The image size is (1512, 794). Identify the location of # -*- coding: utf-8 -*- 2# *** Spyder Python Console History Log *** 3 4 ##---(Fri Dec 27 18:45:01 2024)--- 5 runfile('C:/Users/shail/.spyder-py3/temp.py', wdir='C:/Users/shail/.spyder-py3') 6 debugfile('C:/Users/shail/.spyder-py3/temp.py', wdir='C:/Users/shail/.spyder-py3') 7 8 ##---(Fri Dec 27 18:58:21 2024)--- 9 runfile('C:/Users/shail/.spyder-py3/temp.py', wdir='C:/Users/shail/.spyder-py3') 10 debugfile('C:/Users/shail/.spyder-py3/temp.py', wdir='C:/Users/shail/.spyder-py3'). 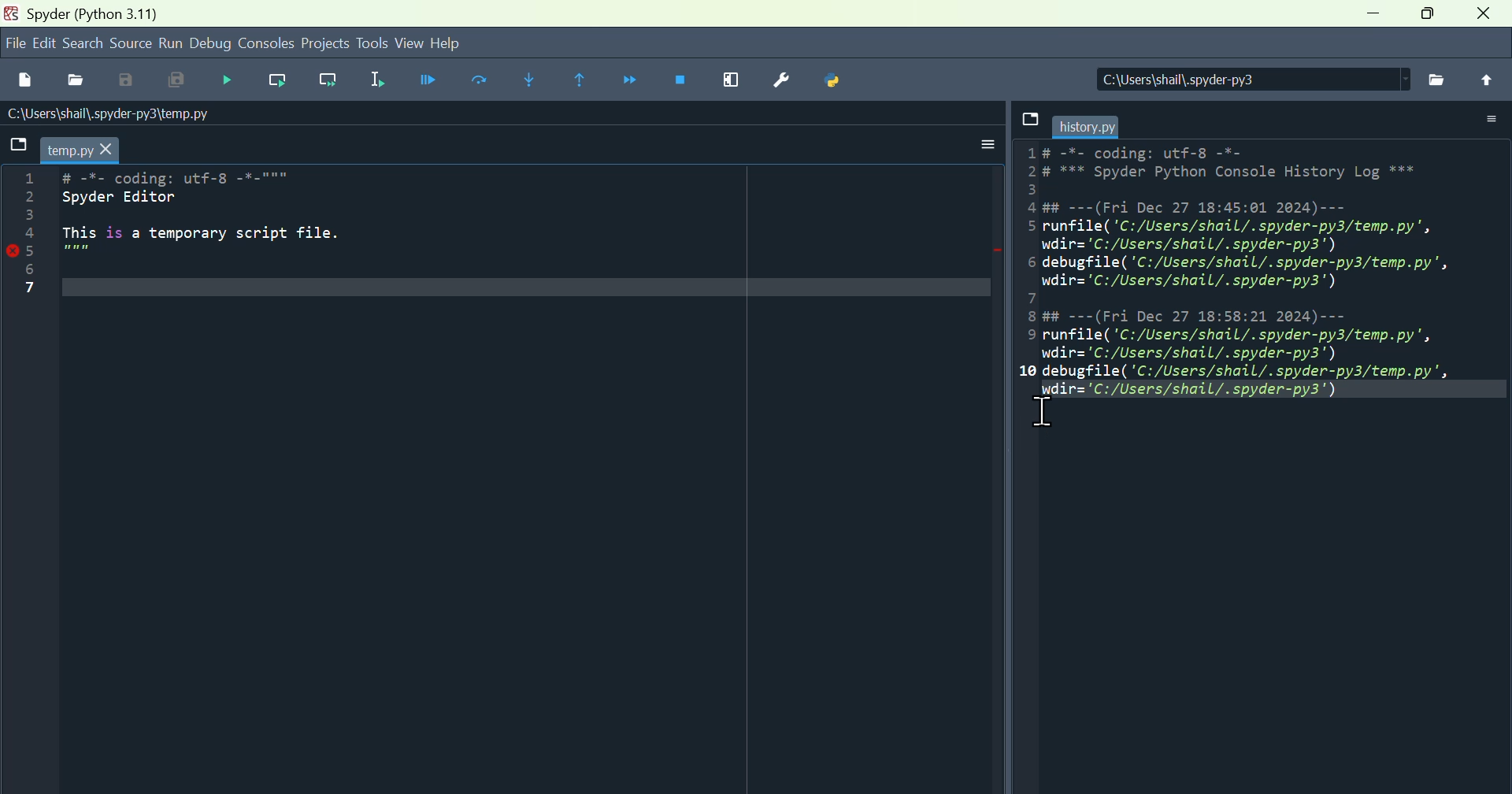
(1260, 276).